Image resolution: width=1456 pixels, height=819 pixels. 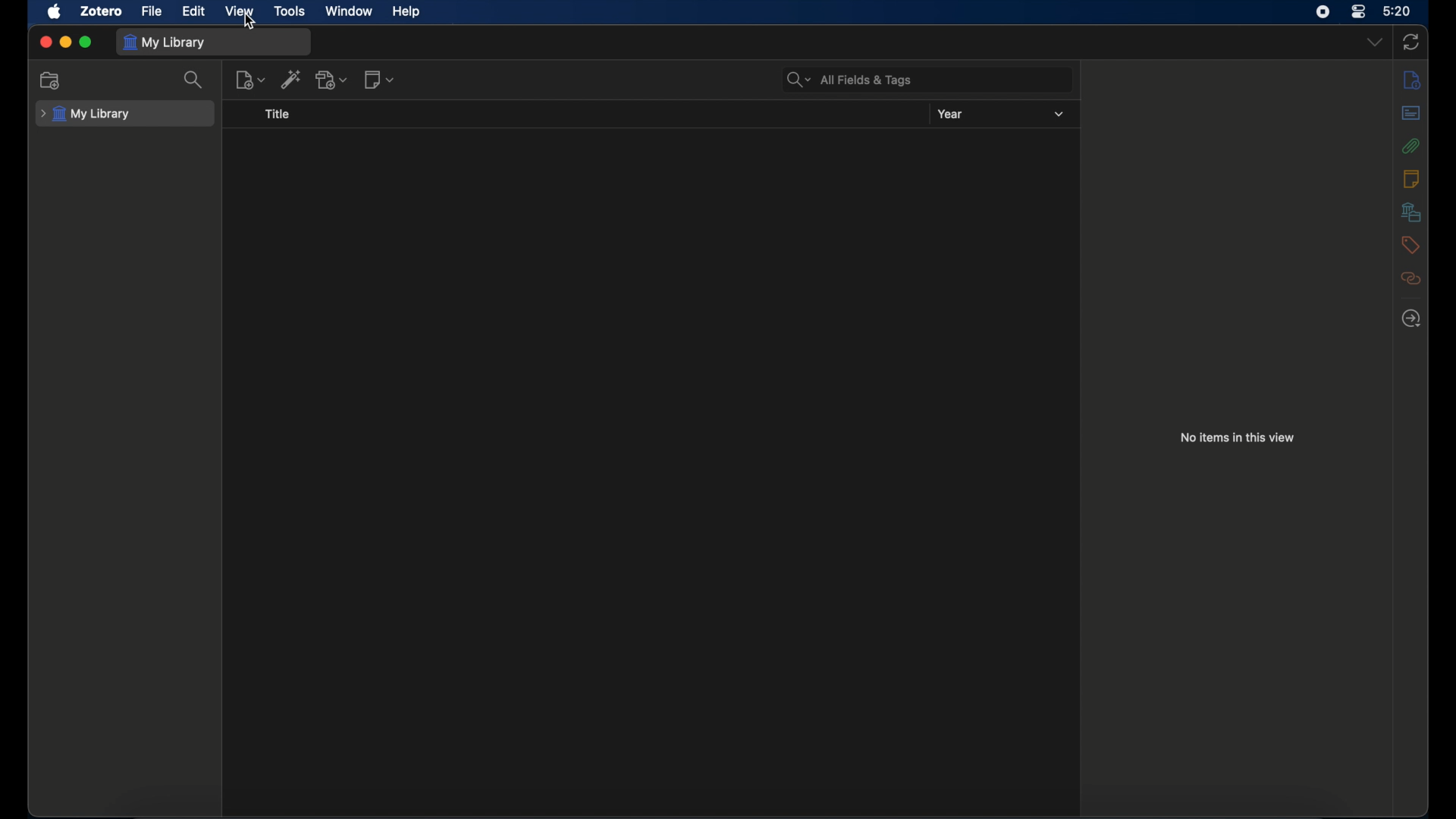 What do you see at coordinates (152, 11) in the screenshot?
I see `file` at bounding box center [152, 11].